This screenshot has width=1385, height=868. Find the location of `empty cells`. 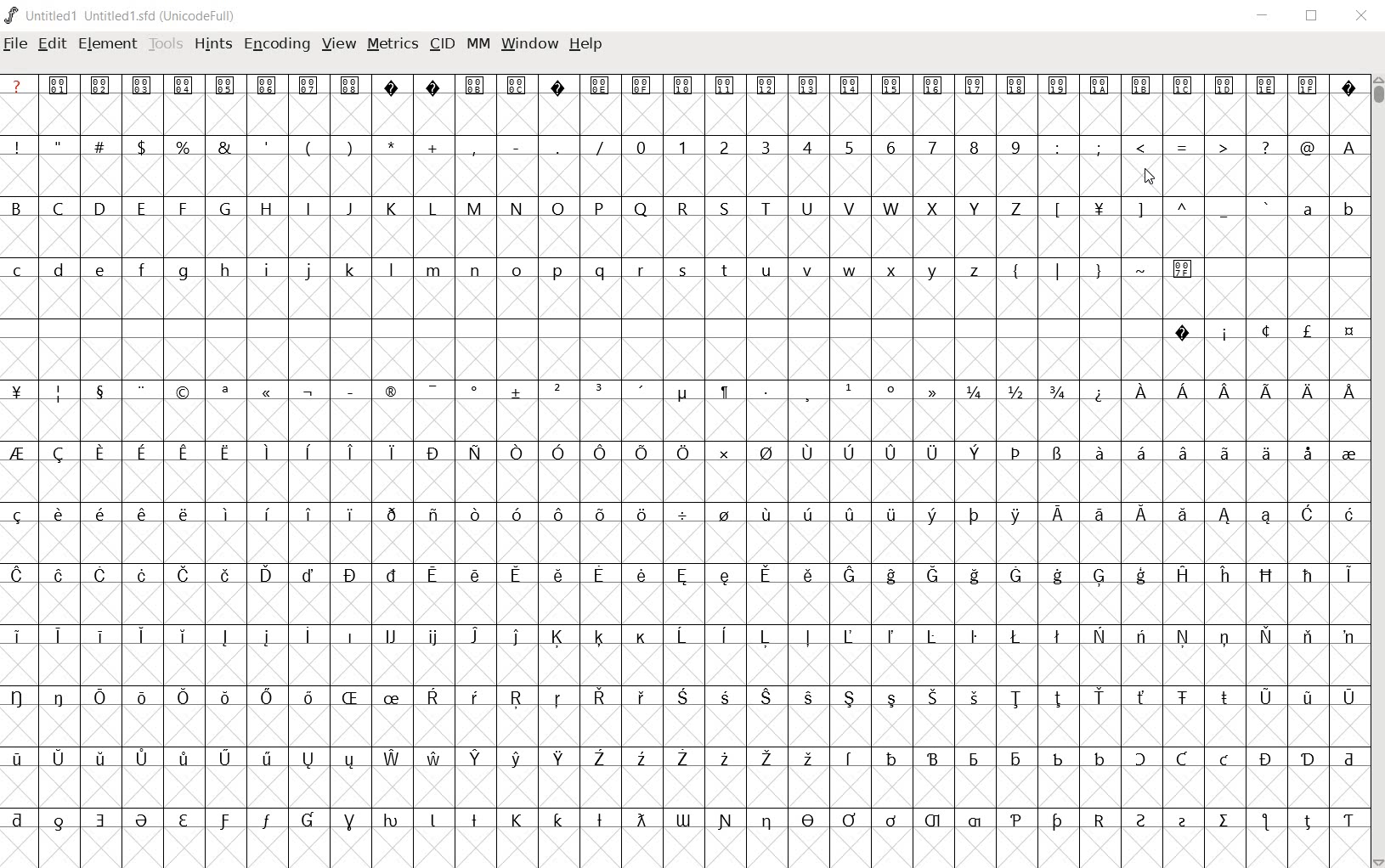

empty cells is located at coordinates (684, 666).